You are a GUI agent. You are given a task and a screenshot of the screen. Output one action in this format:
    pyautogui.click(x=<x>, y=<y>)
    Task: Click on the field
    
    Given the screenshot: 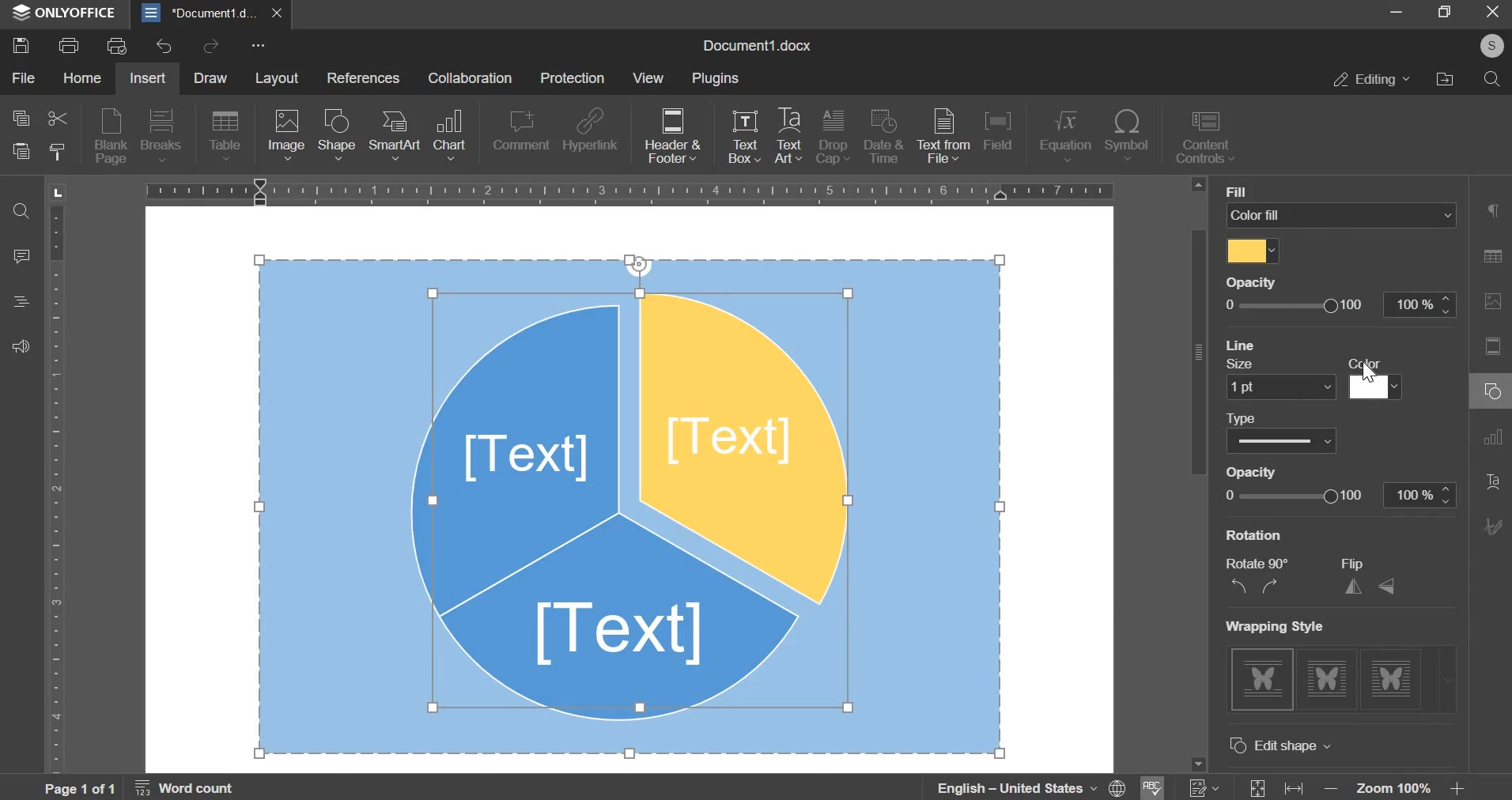 What is the action you would take?
    pyautogui.click(x=997, y=130)
    